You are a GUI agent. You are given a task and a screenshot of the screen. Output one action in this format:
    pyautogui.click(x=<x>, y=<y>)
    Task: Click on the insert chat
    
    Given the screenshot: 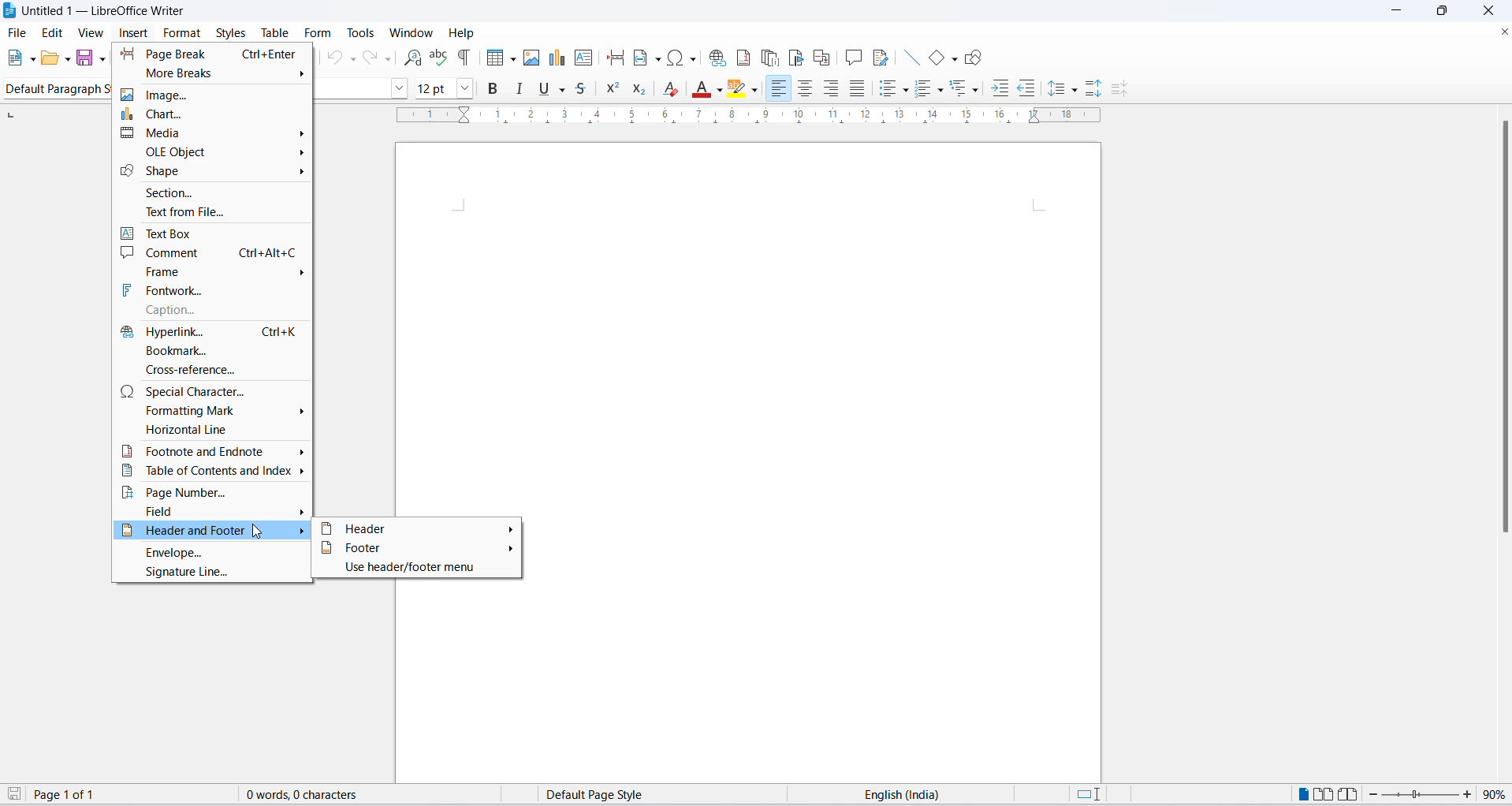 What is the action you would take?
    pyautogui.click(x=557, y=61)
    